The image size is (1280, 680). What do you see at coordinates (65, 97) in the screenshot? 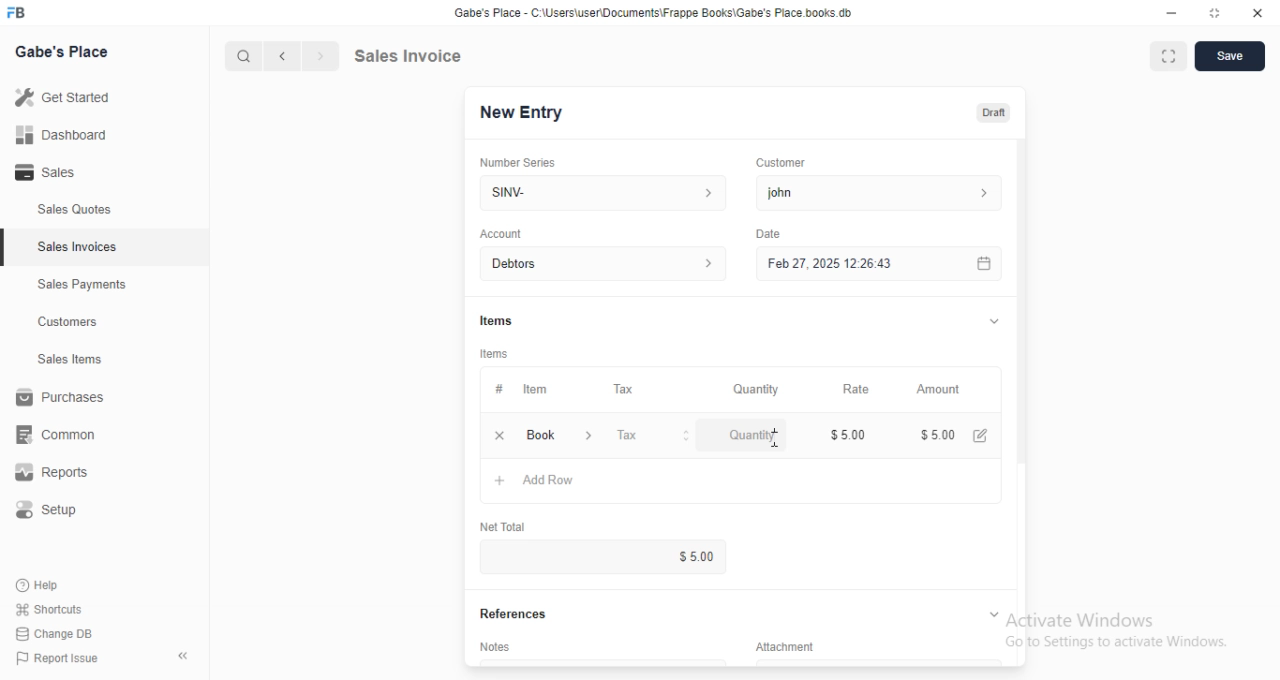
I see `Get started` at bounding box center [65, 97].